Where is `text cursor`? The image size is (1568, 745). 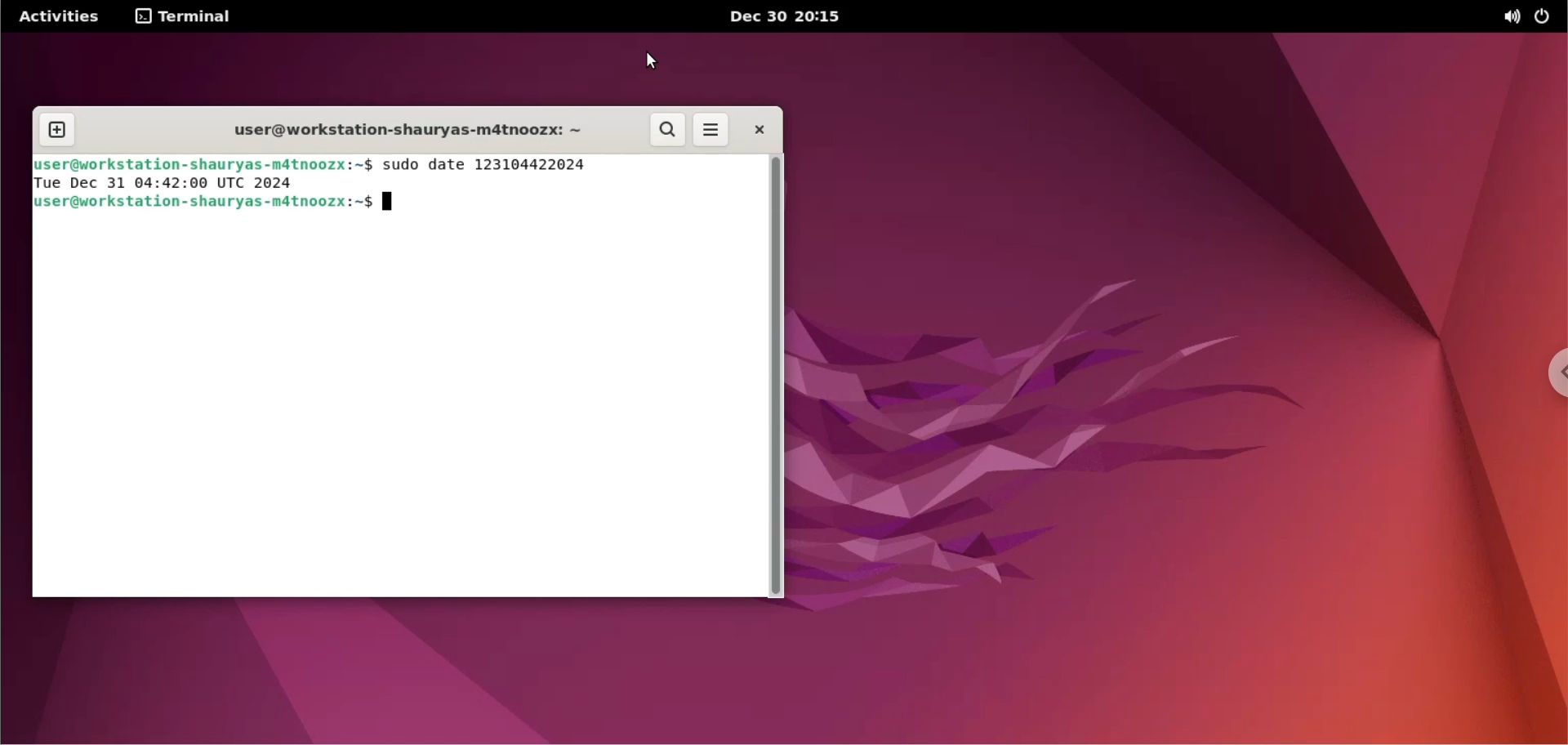 text cursor is located at coordinates (390, 201).